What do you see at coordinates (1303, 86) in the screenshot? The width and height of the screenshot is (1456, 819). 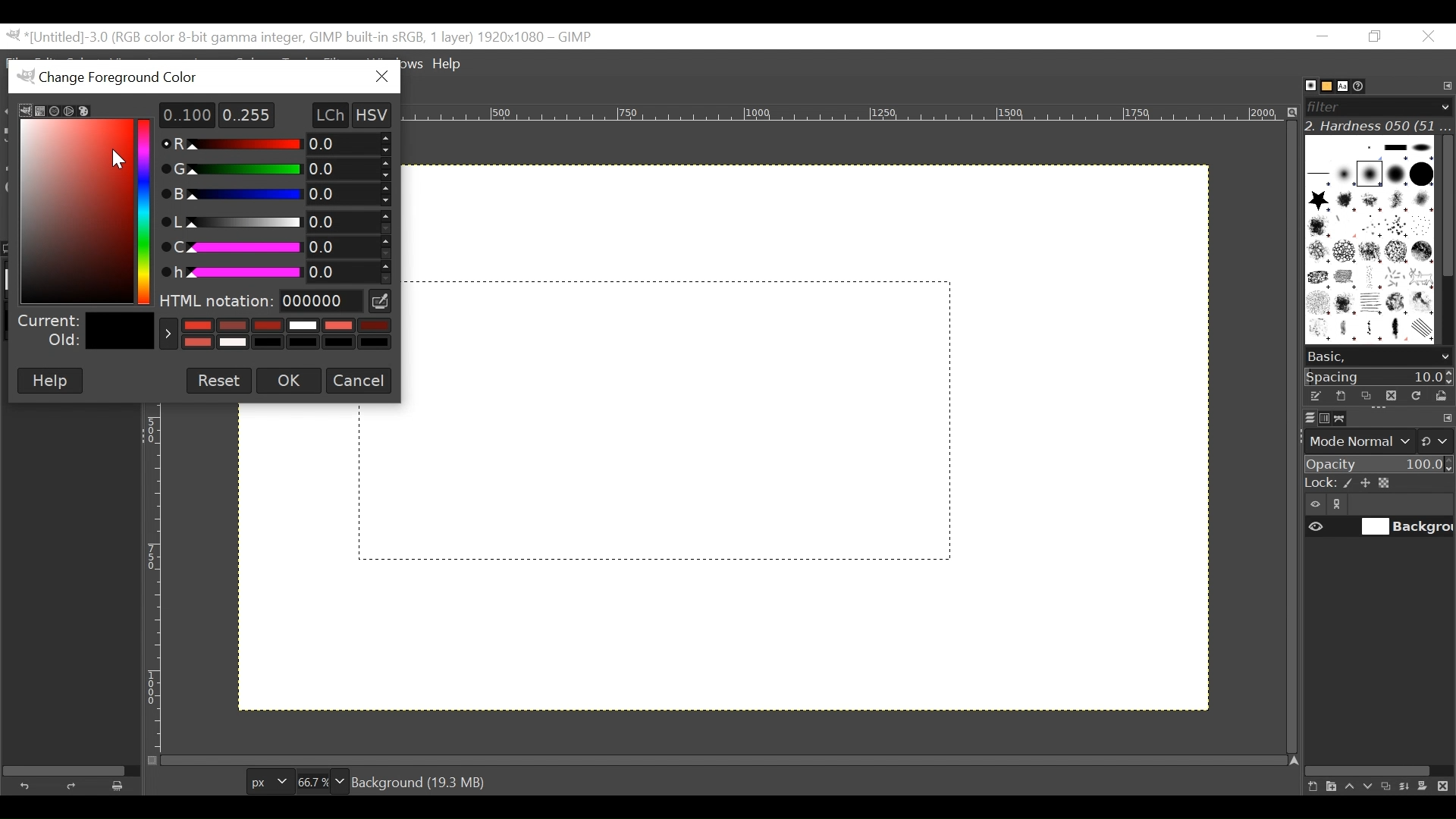 I see `Brushes` at bounding box center [1303, 86].